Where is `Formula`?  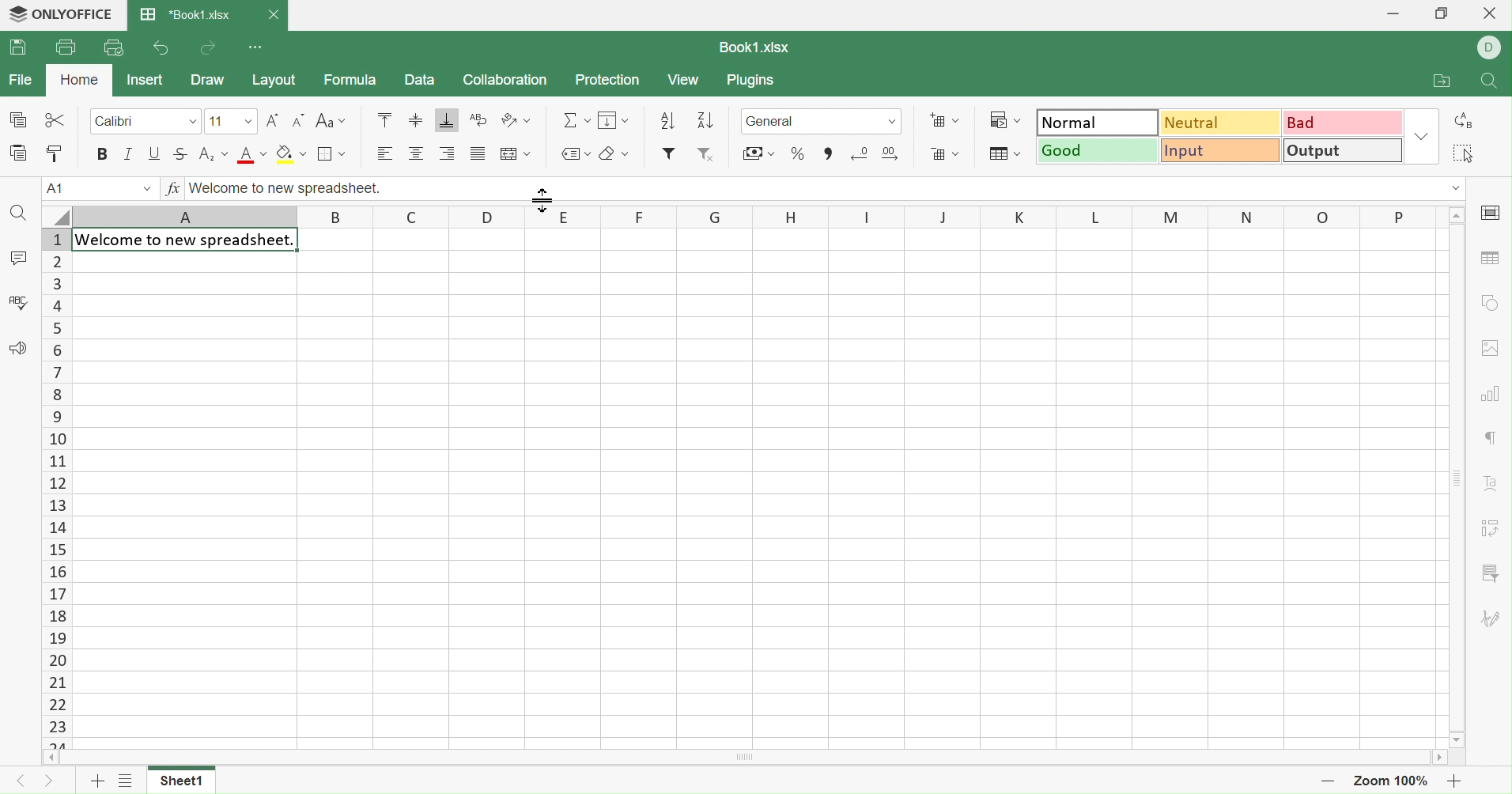 Formula is located at coordinates (350, 81).